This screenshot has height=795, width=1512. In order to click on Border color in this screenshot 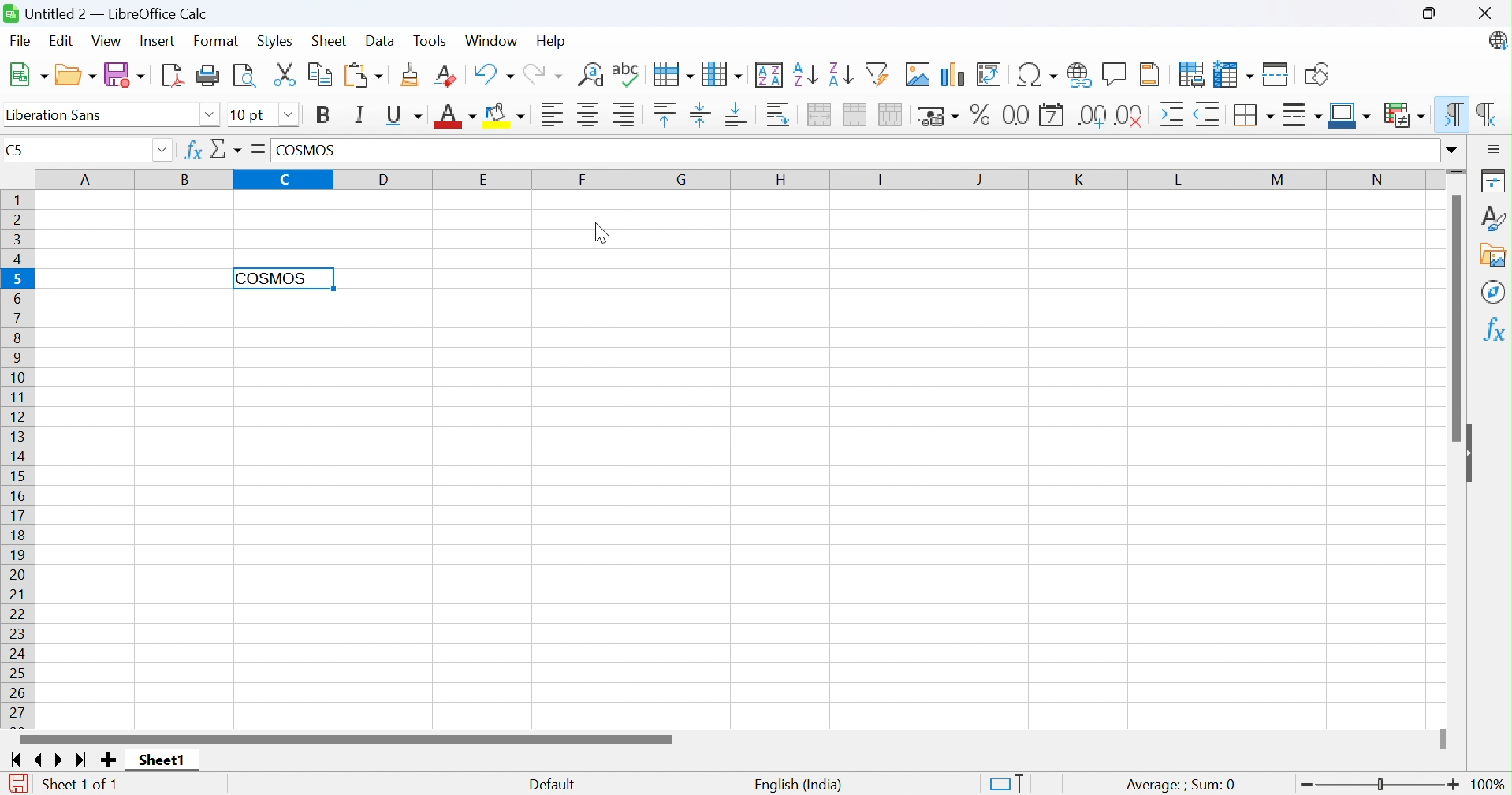, I will do `click(1350, 117)`.